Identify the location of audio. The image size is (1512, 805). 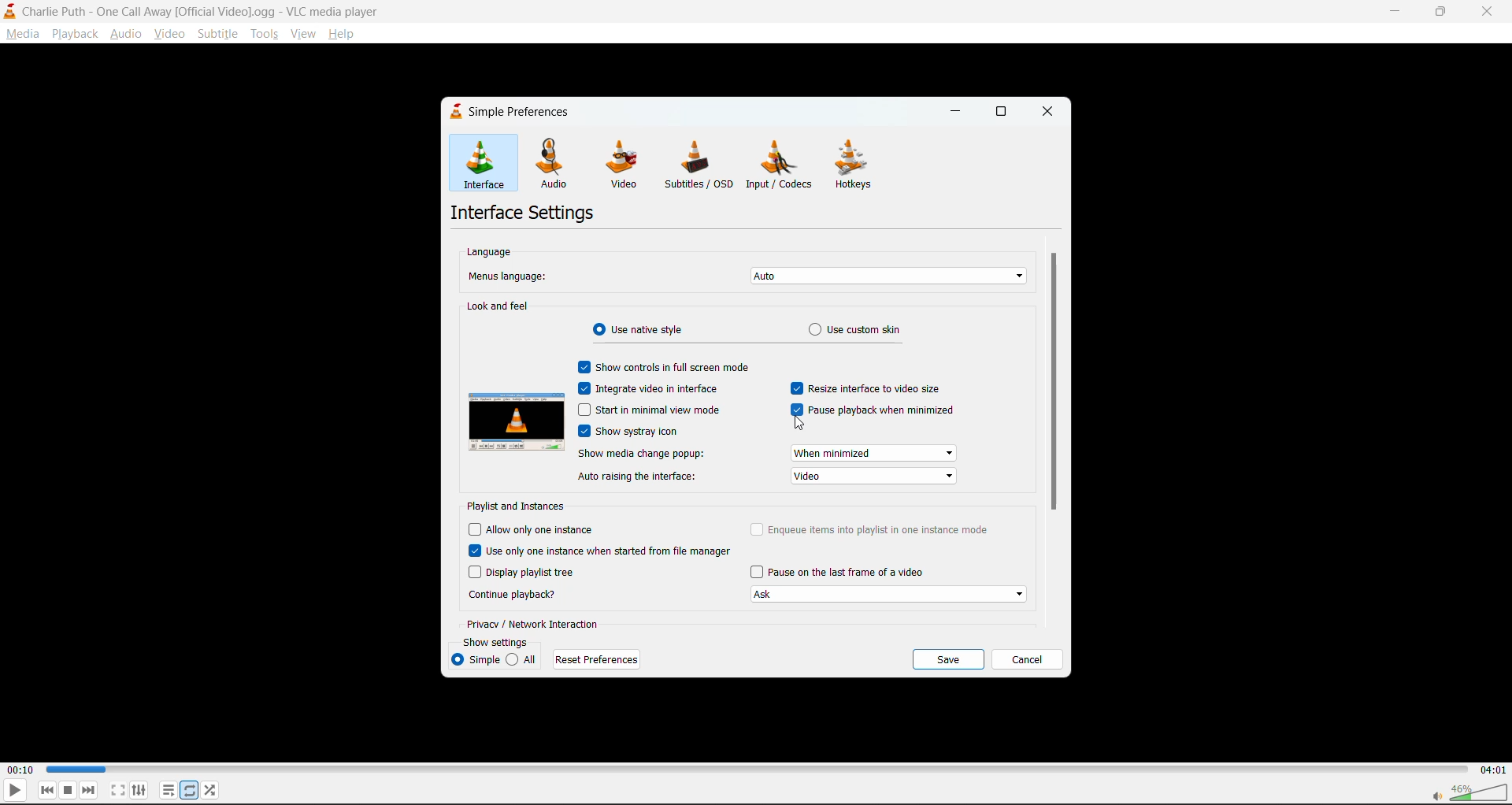
(557, 163).